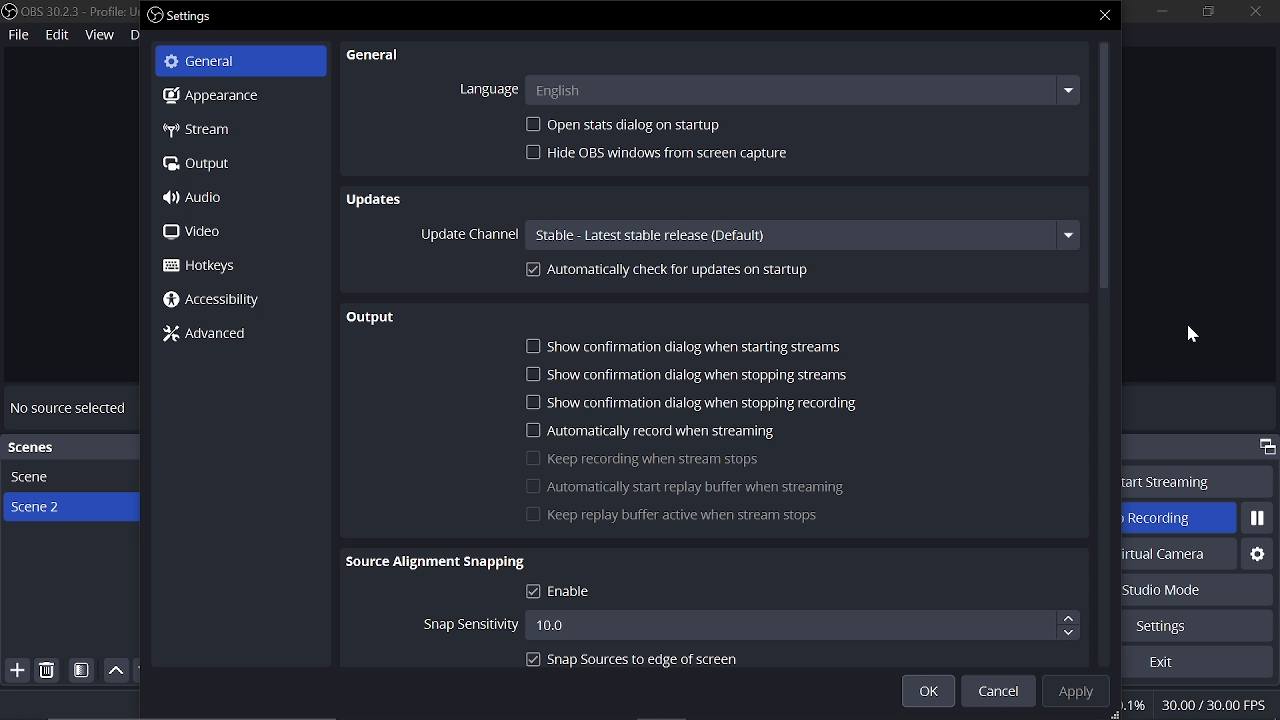 The width and height of the screenshot is (1280, 720). Describe the element at coordinates (234, 233) in the screenshot. I see `video` at that location.